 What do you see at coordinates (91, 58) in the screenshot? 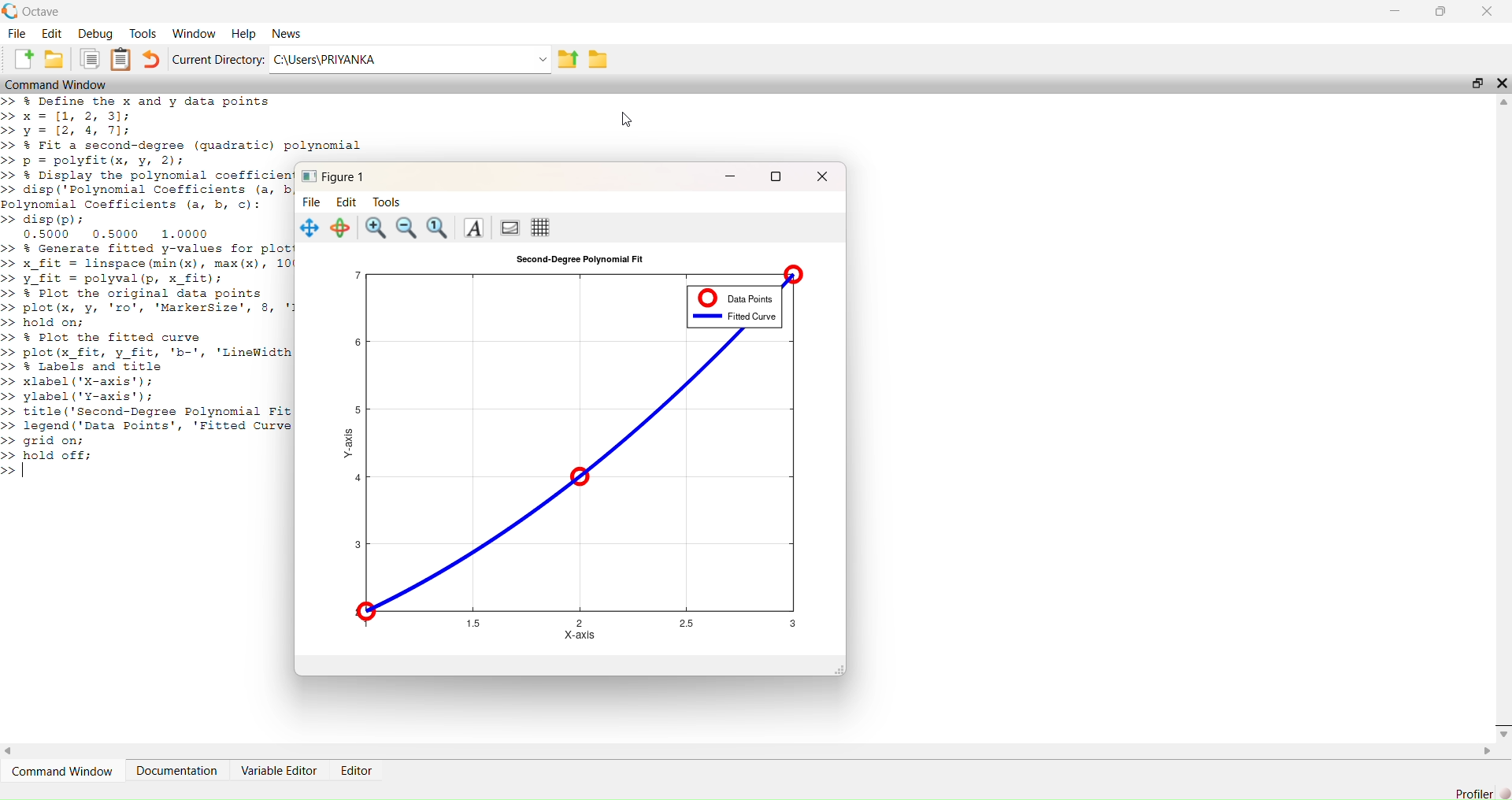
I see `Copy` at bounding box center [91, 58].